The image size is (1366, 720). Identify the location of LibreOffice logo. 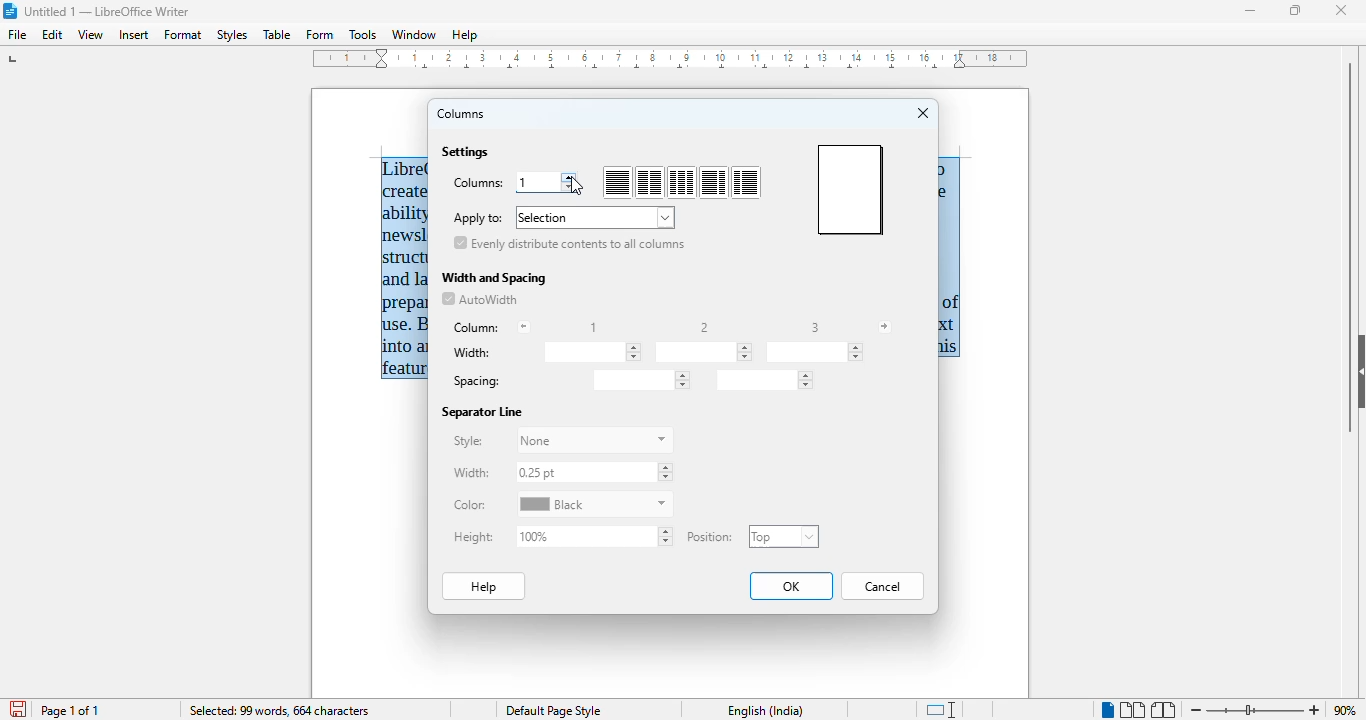
(11, 11).